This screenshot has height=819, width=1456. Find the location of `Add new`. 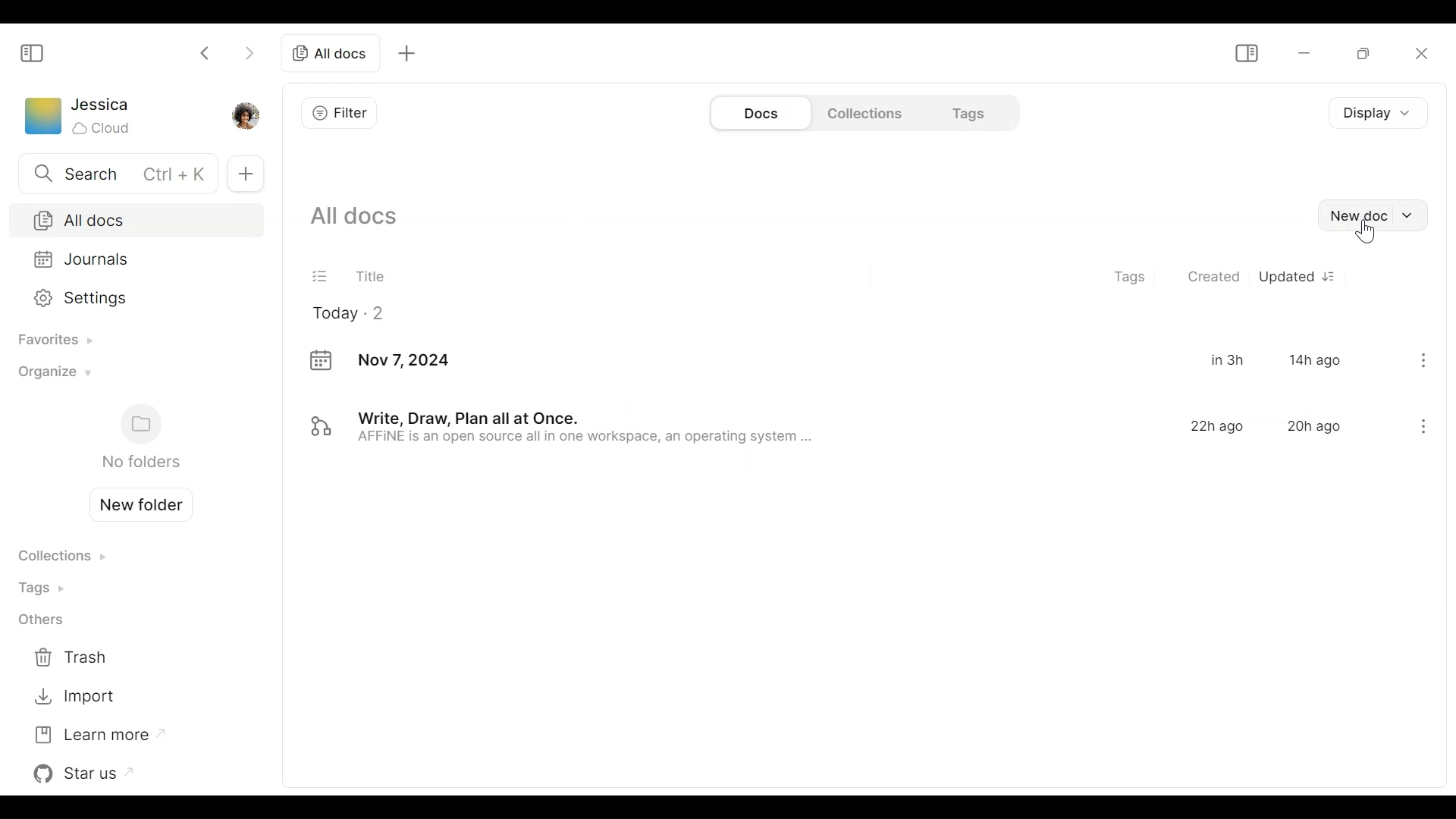

Add new is located at coordinates (243, 173).